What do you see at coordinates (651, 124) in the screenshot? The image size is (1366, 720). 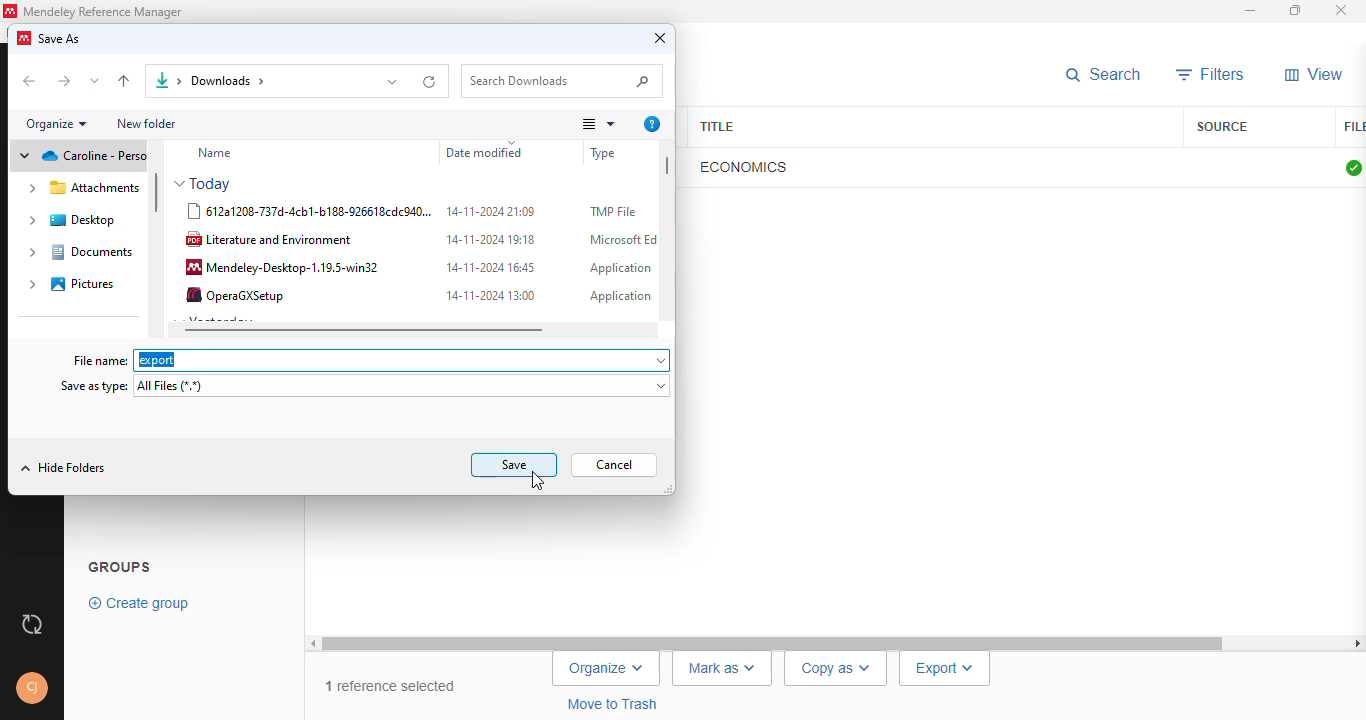 I see `get help` at bounding box center [651, 124].